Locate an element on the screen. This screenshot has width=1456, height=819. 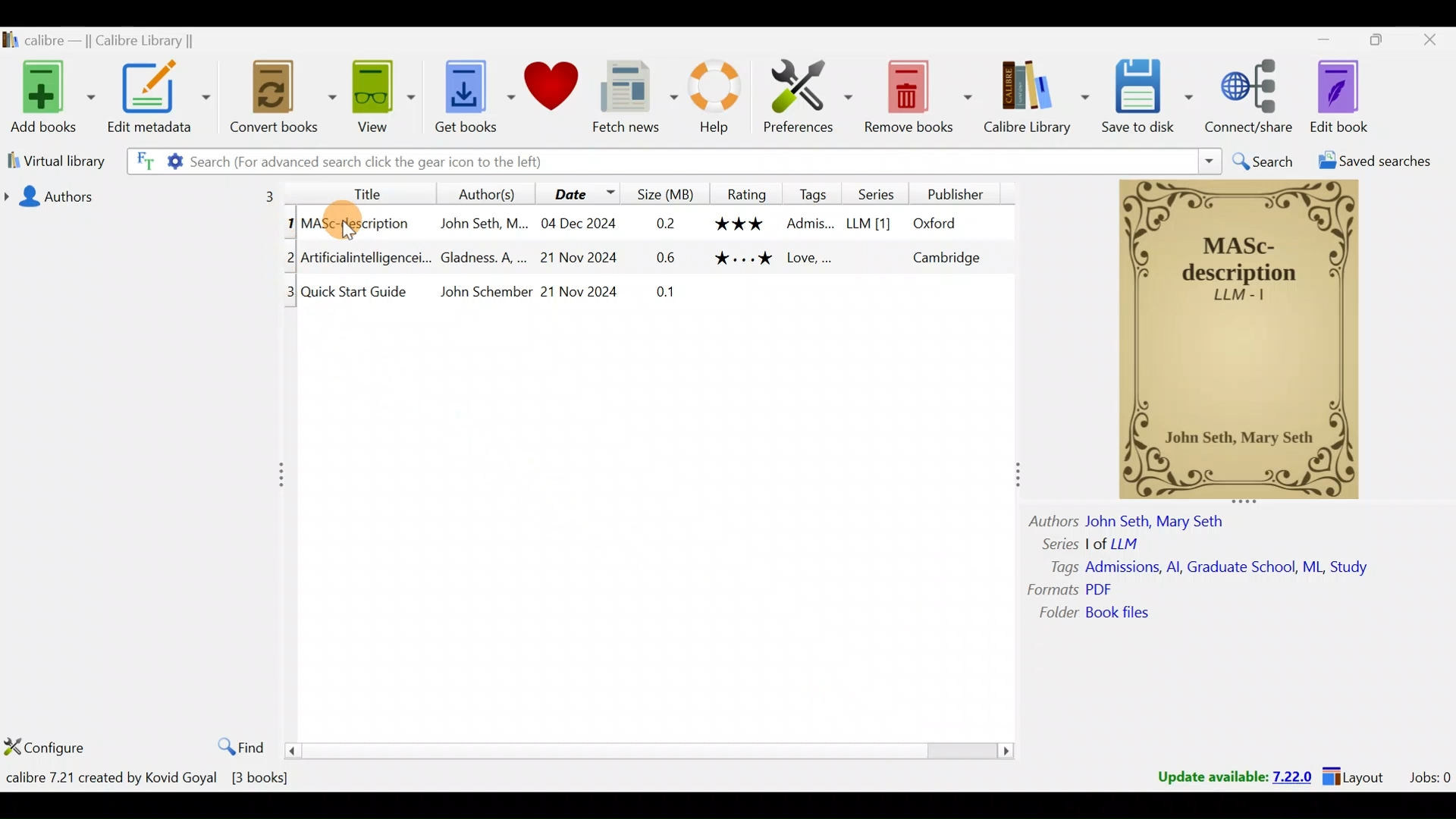
Donate is located at coordinates (551, 101).